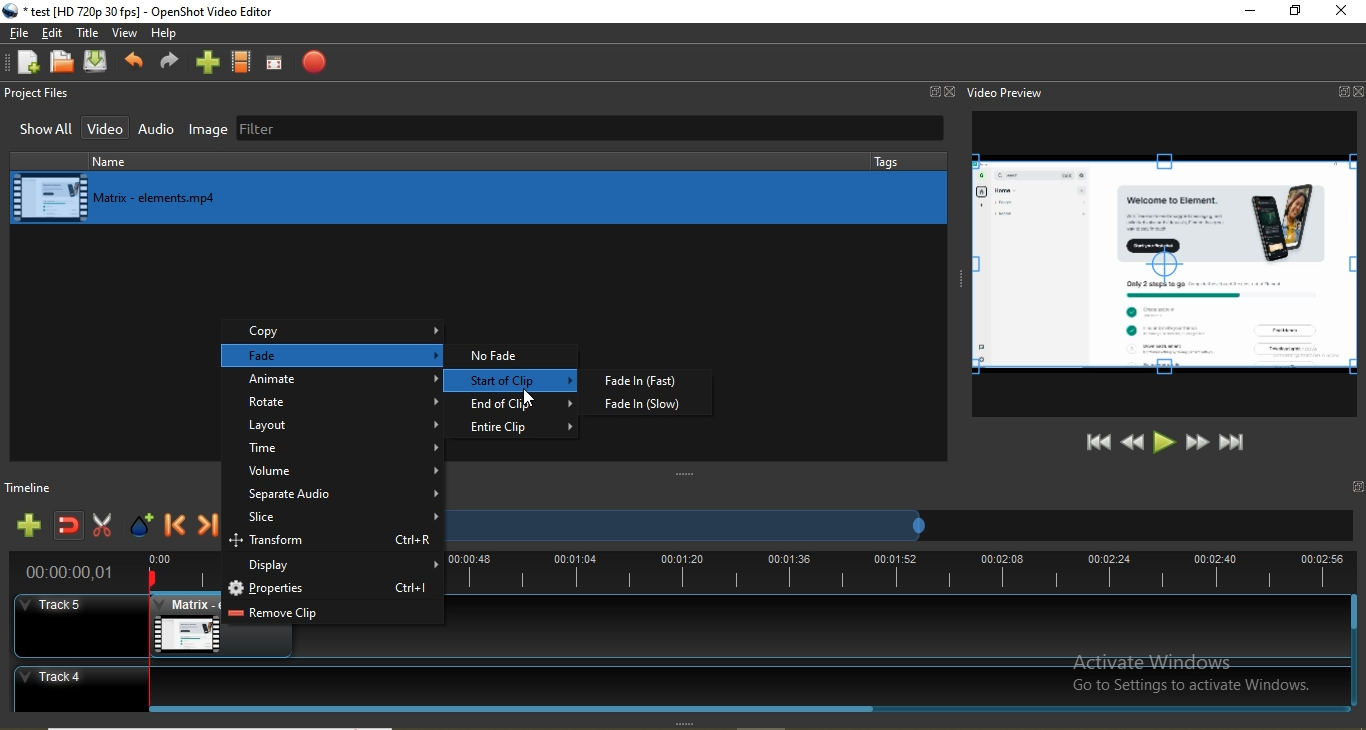  Describe the element at coordinates (1007, 92) in the screenshot. I see `Video preview` at that location.